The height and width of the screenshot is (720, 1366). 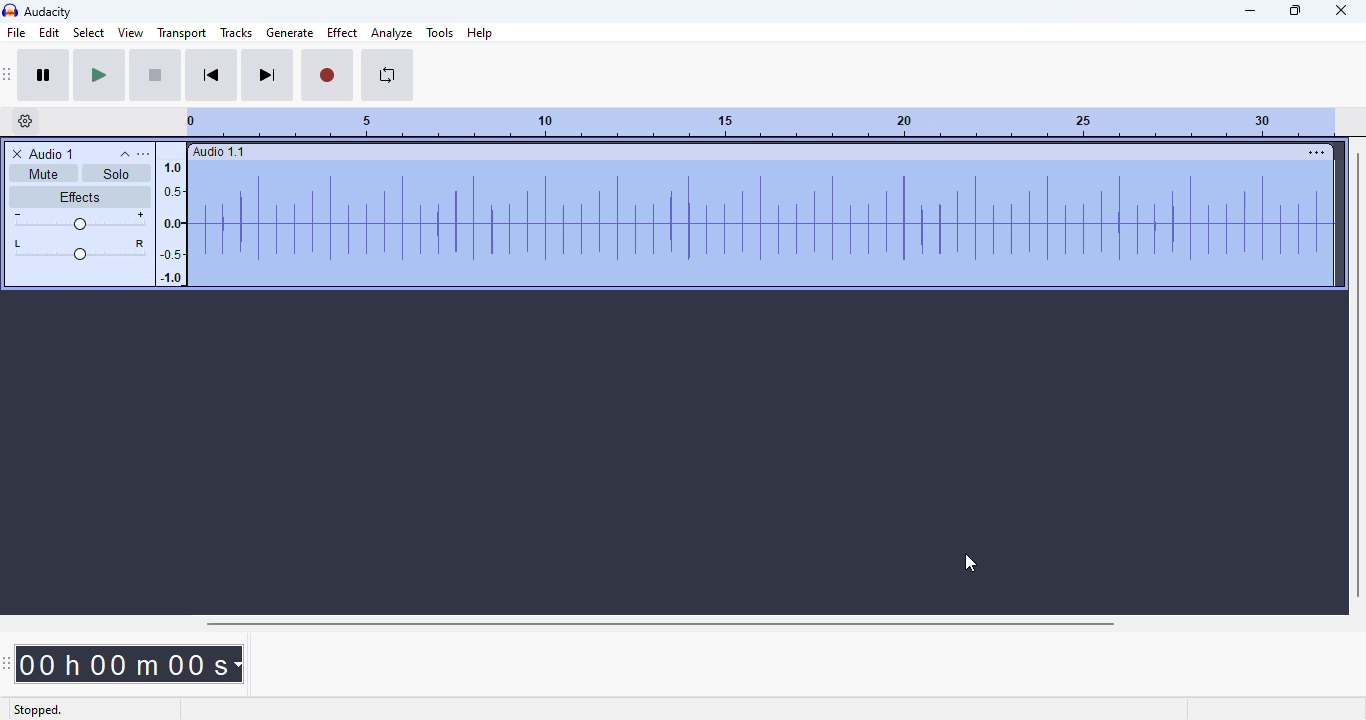 What do you see at coordinates (28, 121) in the screenshot?
I see `timeline settings` at bounding box center [28, 121].